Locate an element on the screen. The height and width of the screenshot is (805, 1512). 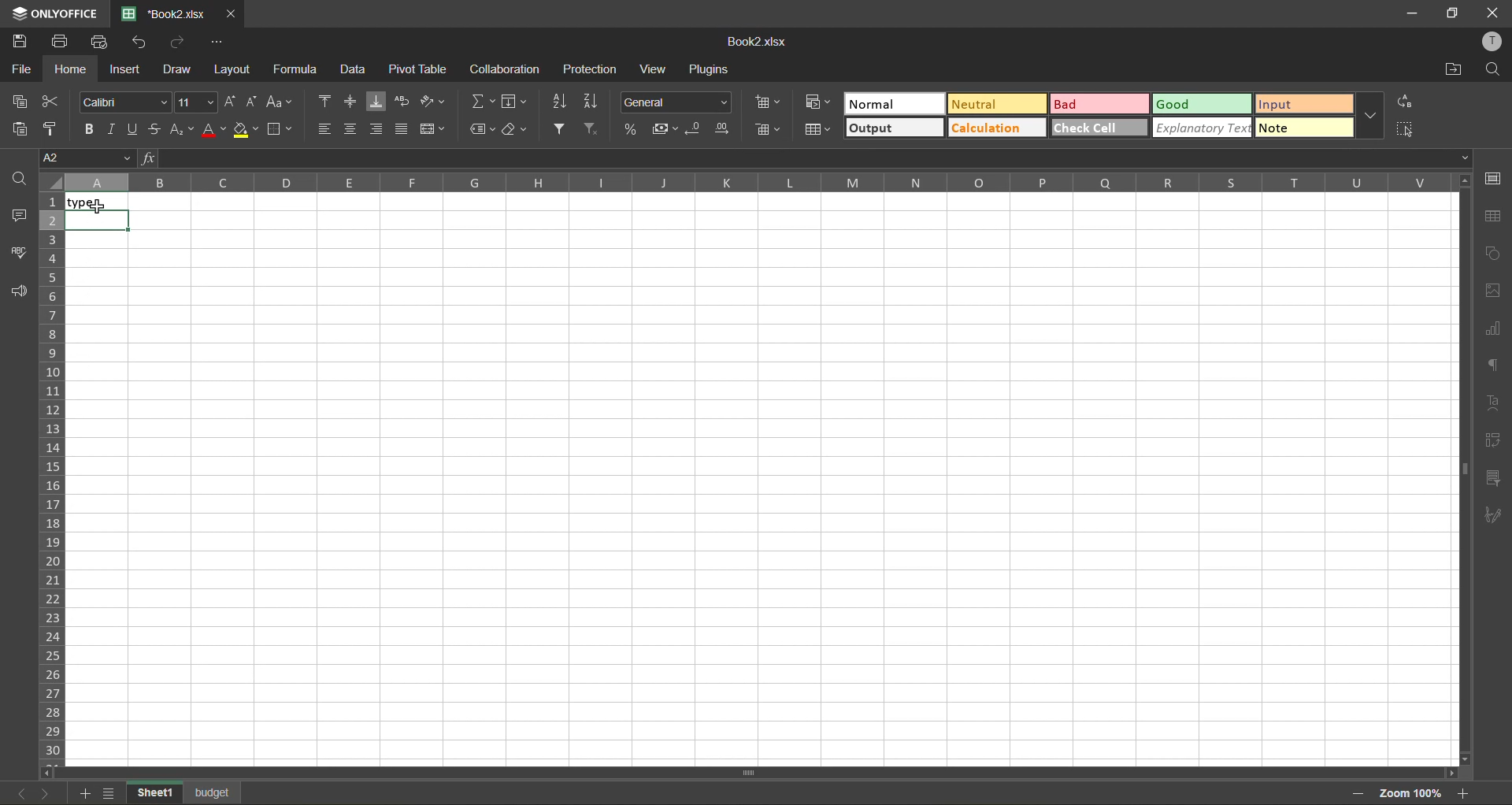
align right is located at coordinates (378, 131).